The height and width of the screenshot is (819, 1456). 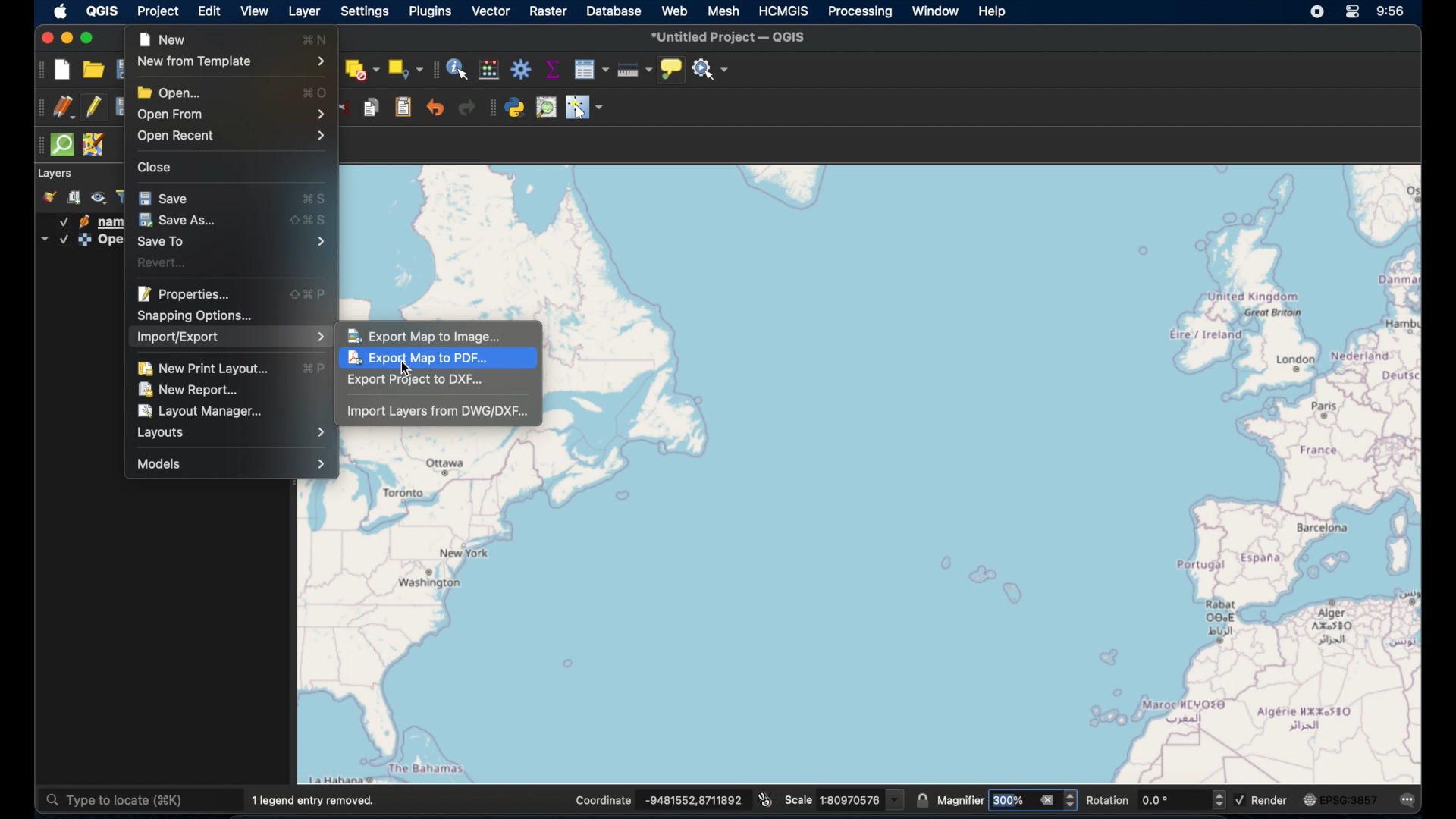 I want to click on redo, so click(x=468, y=110).